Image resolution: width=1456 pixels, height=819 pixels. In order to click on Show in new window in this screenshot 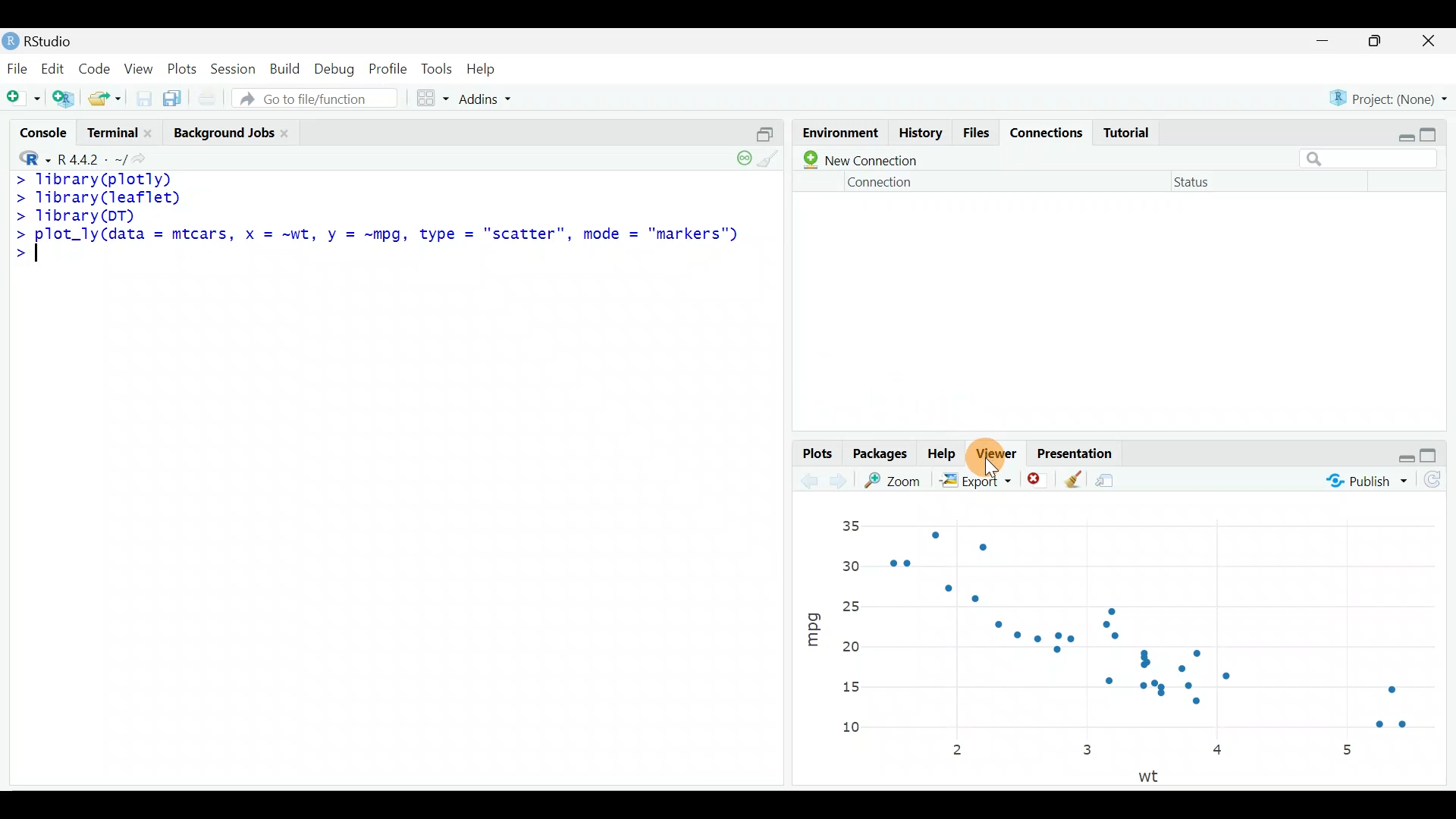, I will do `click(1112, 482)`.